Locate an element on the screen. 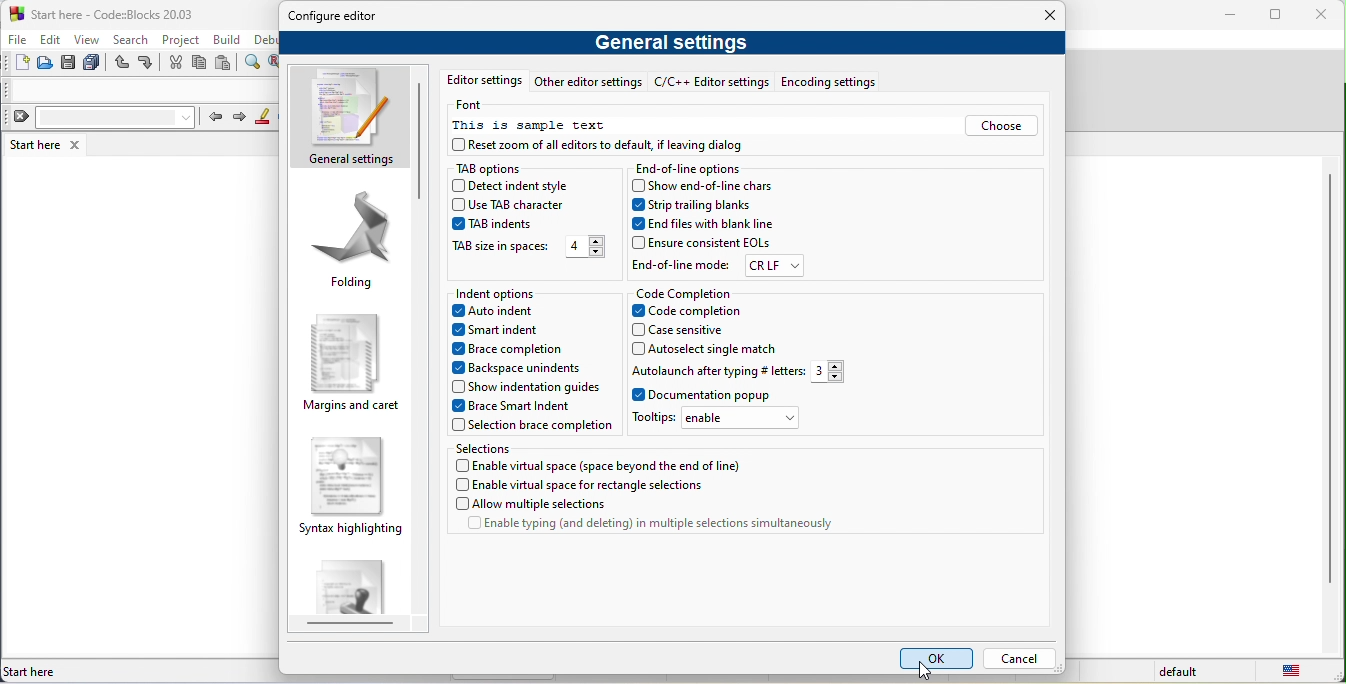 The image size is (1346, 684). general settings is located at coordinates (349, 117).